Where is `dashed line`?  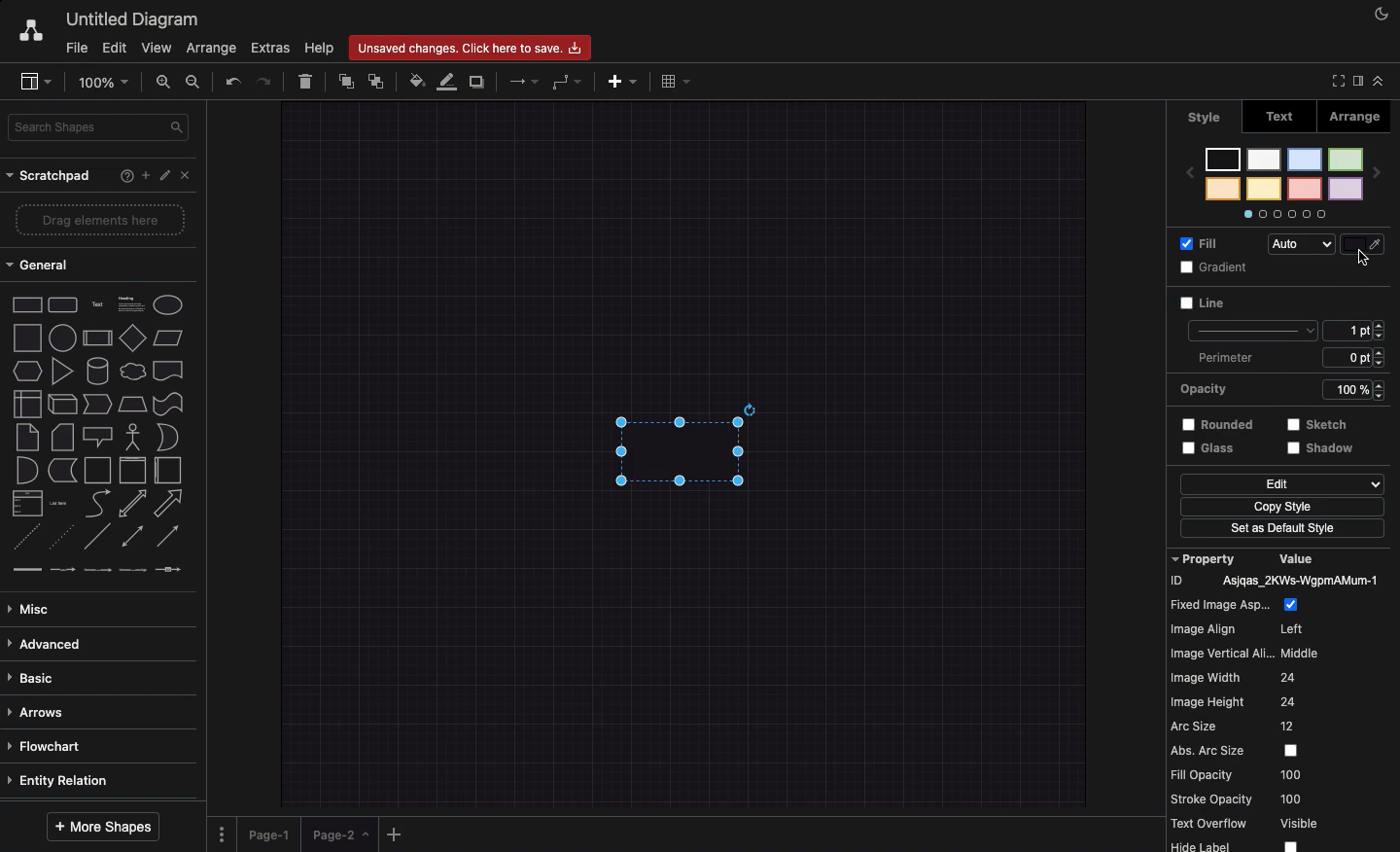 dashed line is located at coordinates (21, 539).